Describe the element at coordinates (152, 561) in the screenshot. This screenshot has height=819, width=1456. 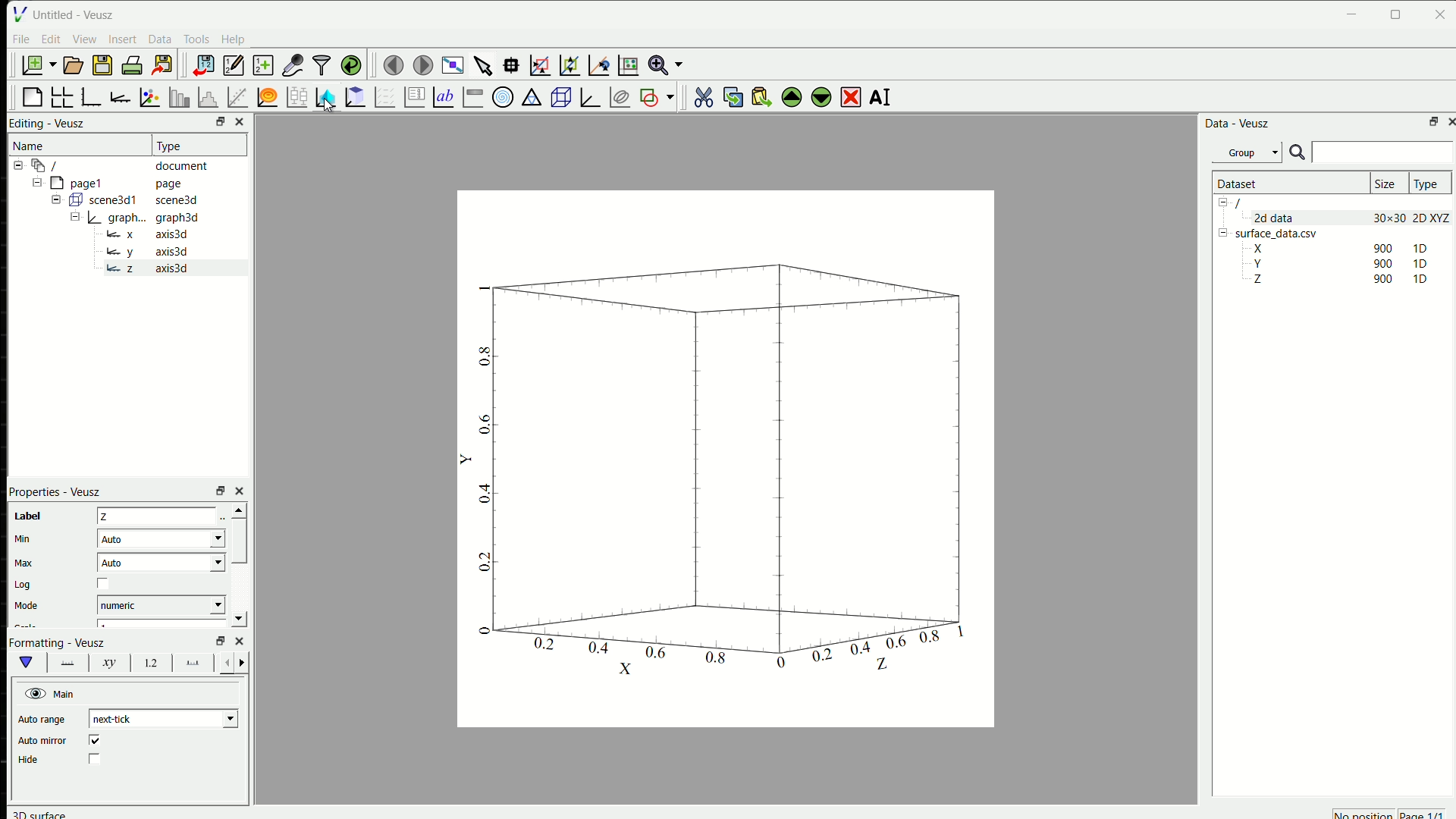
I see `Auto` at that location.